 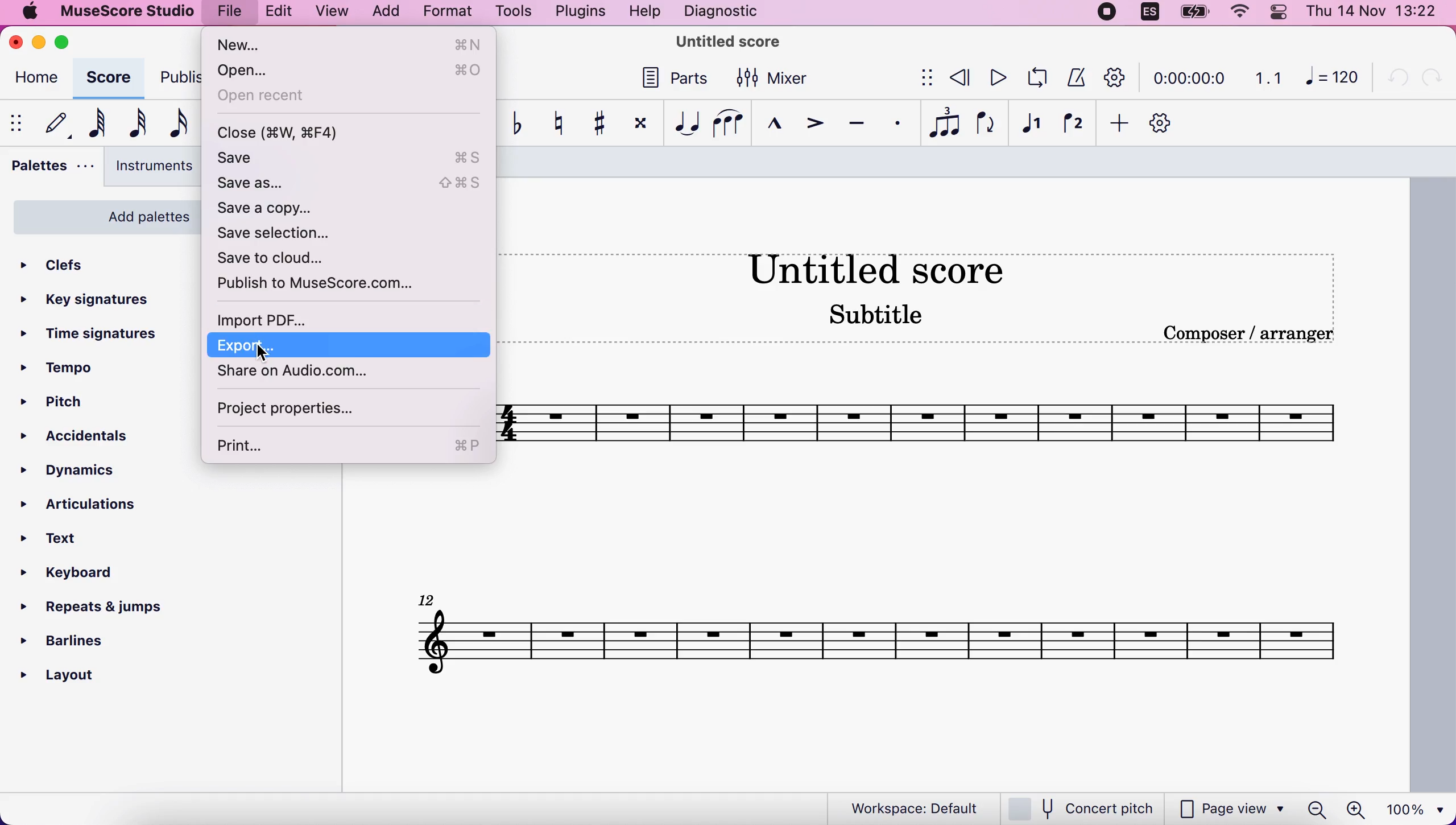 I want to click on toggle sharp, so click(x=596, y=122).